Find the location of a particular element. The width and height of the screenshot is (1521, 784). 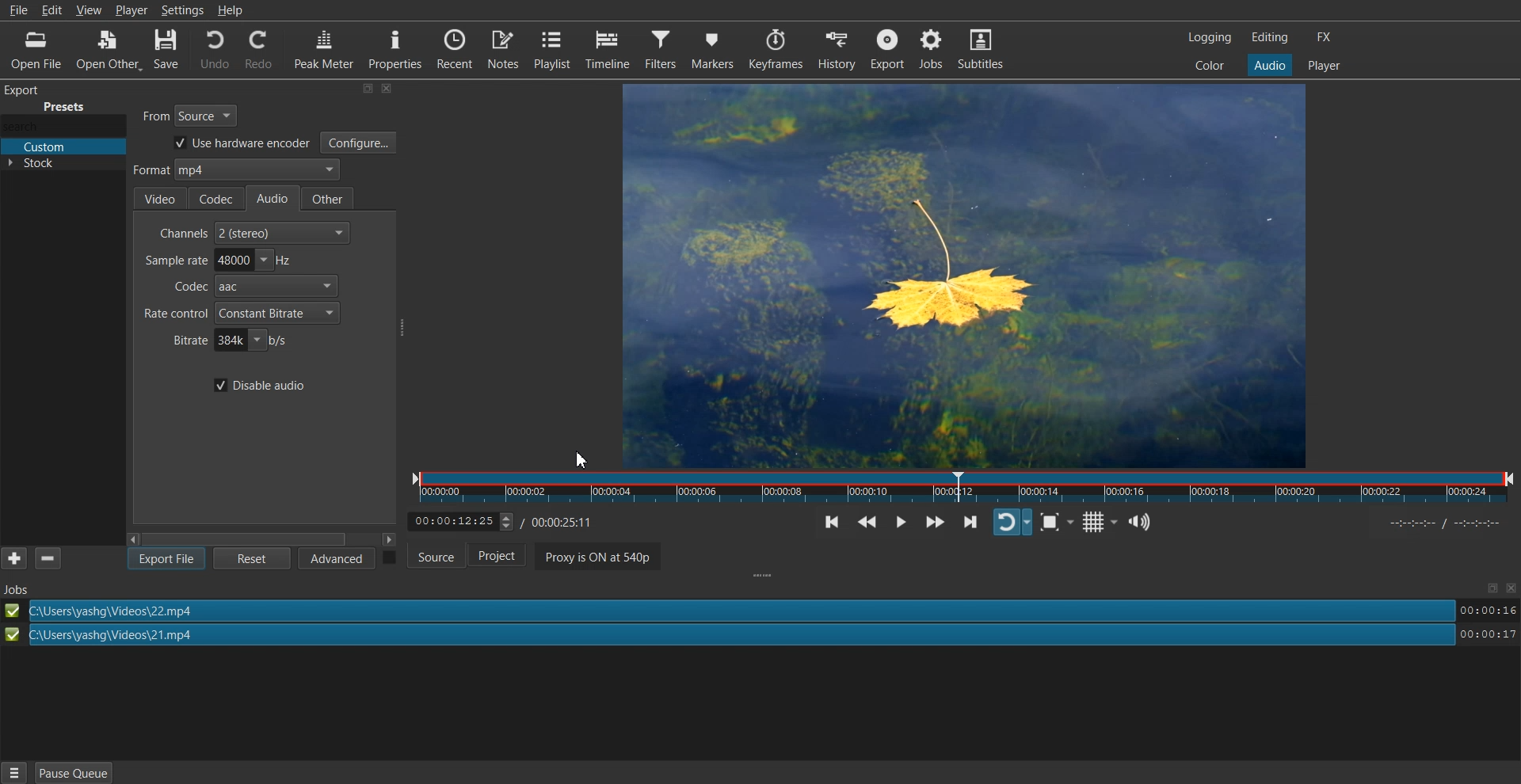

Save is located at coordinates (166, 51).